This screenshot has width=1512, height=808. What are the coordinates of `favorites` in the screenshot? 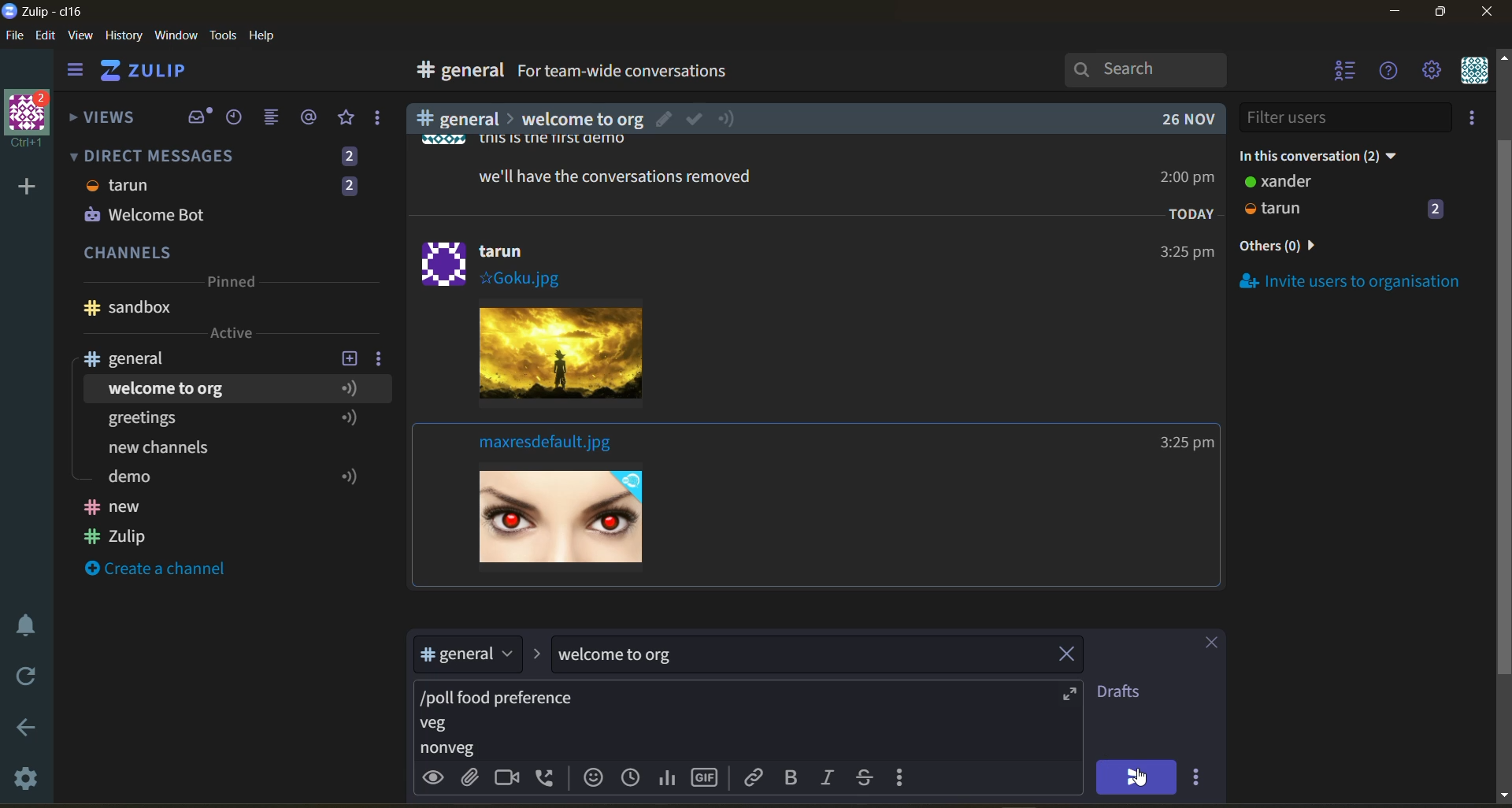 It's located at (347, 118).